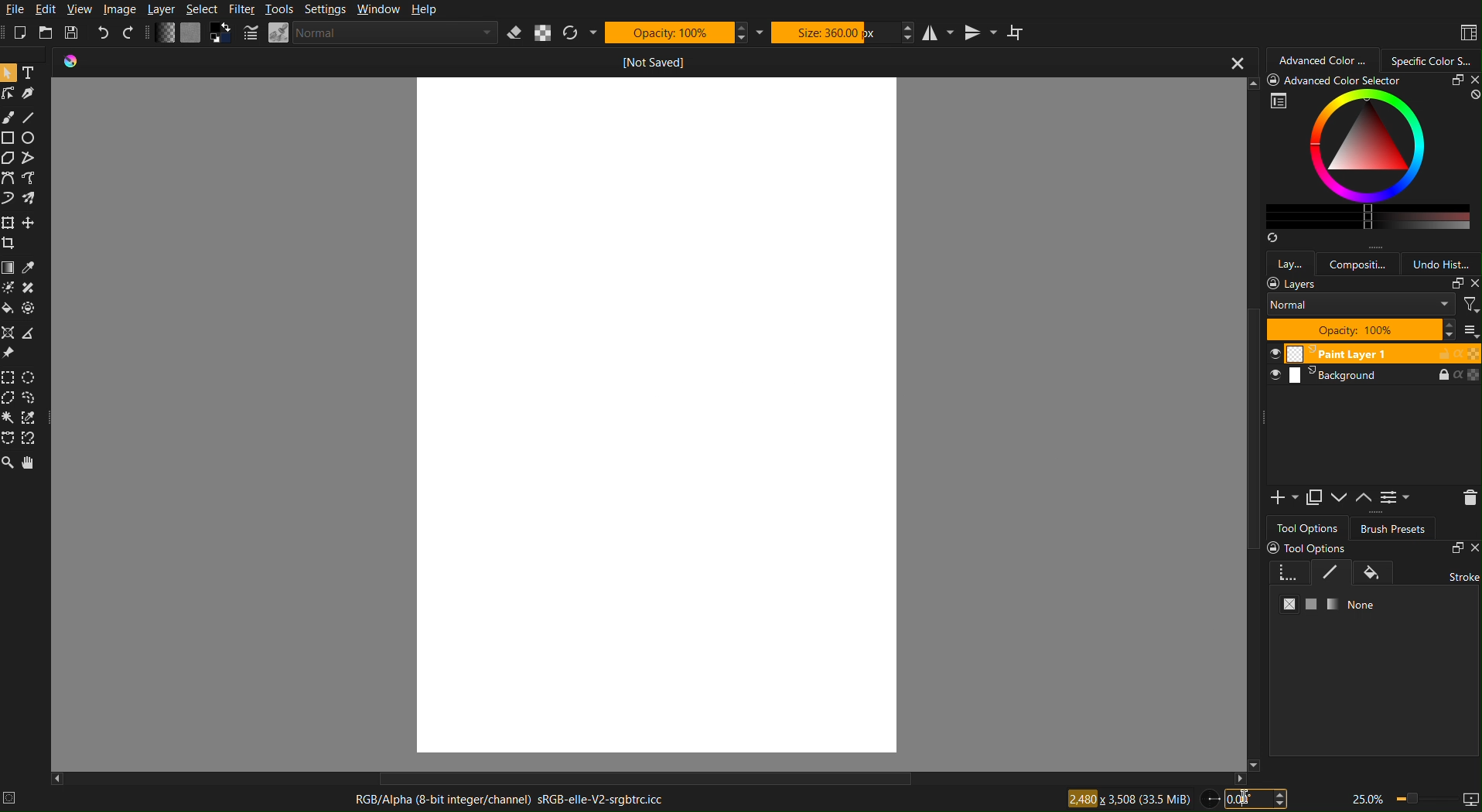 Image resolution: width=1482 pixels, height=812 pixels. I want to click on Tool Options, so click(1376, 588).